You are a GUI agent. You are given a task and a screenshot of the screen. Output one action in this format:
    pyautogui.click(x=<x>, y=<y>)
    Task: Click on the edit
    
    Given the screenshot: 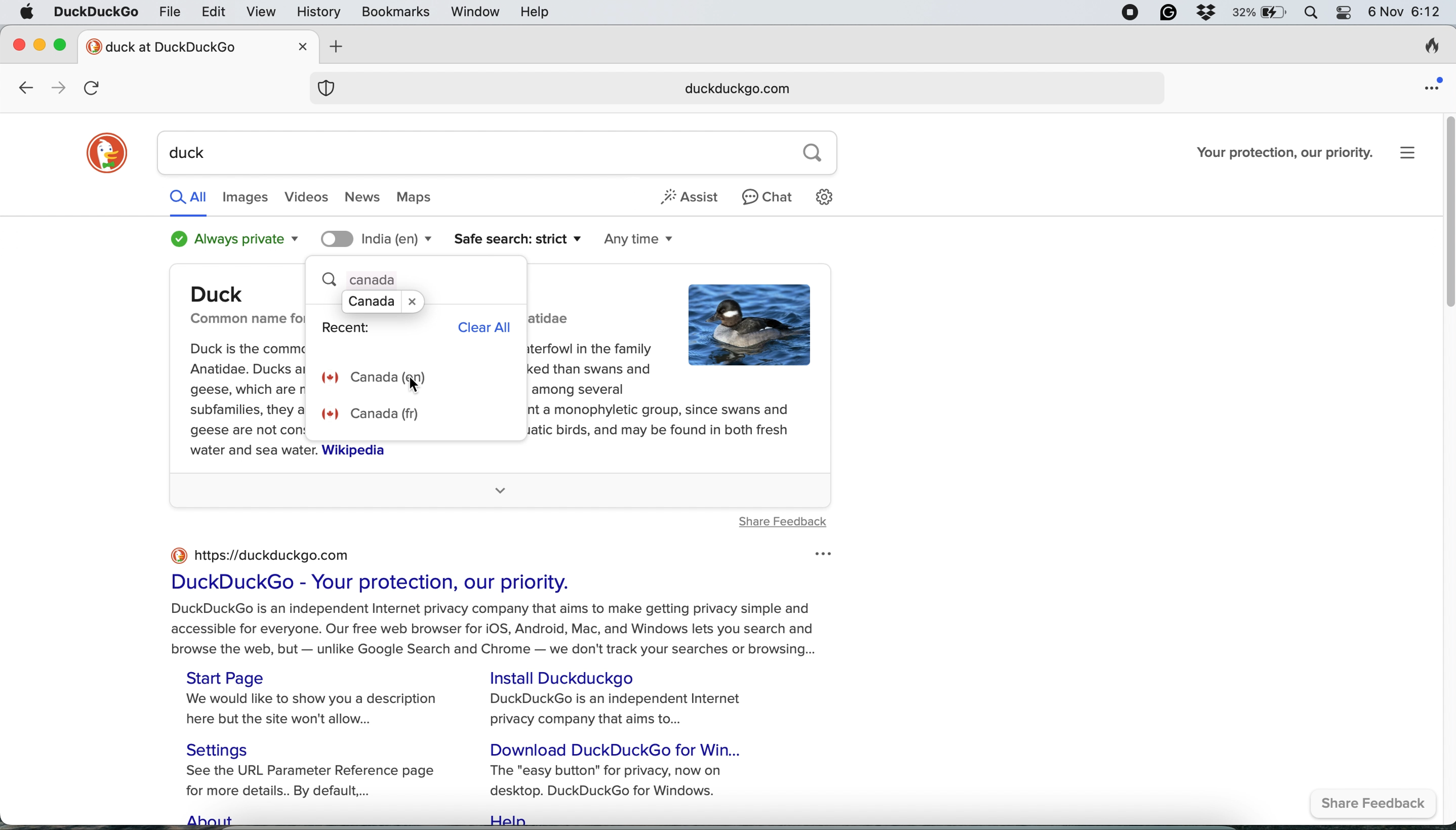 What is the action you would take?
    pyautogui.click(x=215, y=11)
    